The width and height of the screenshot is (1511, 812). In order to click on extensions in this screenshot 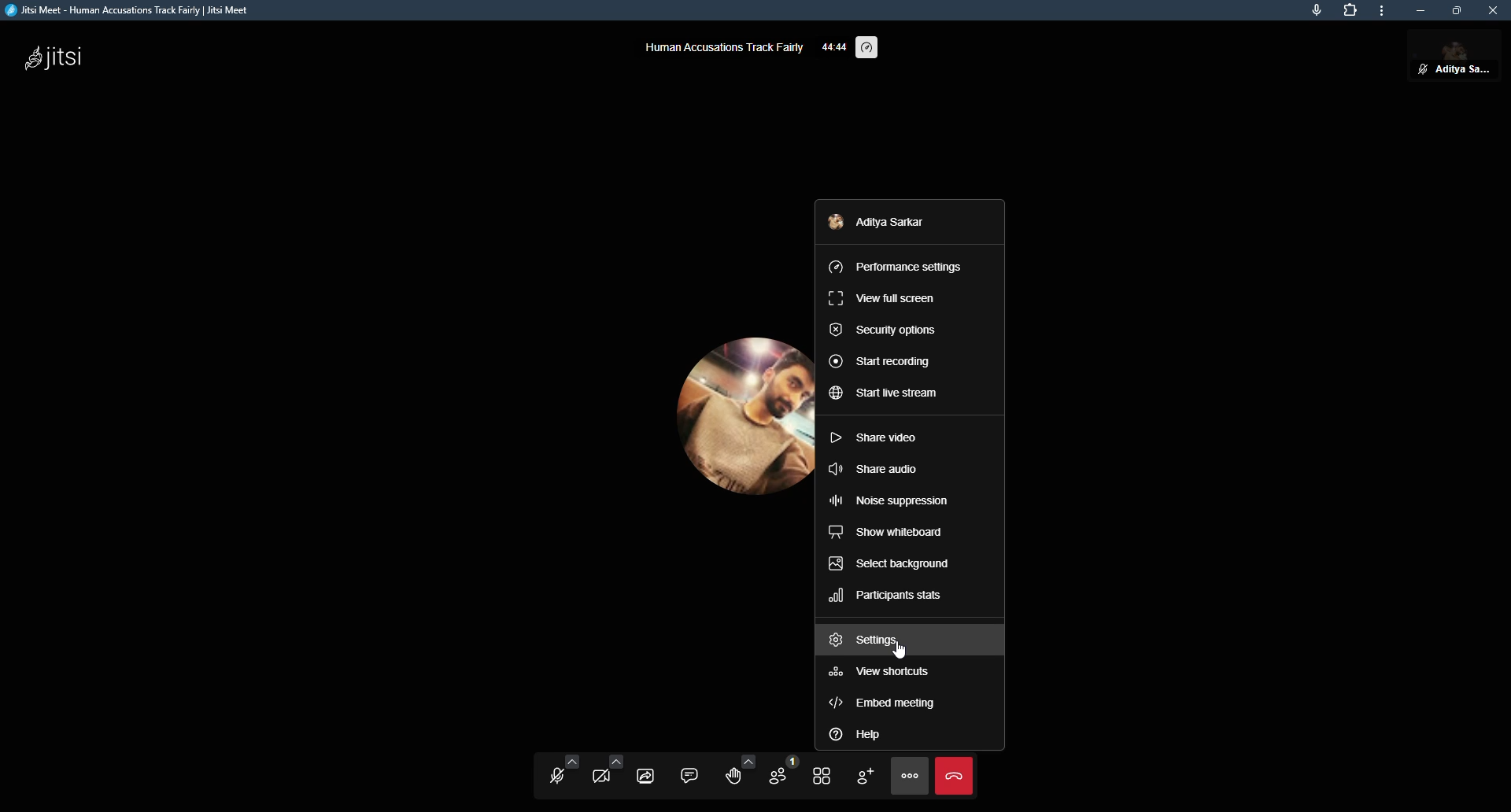, I will do `click(1348, 10)`.